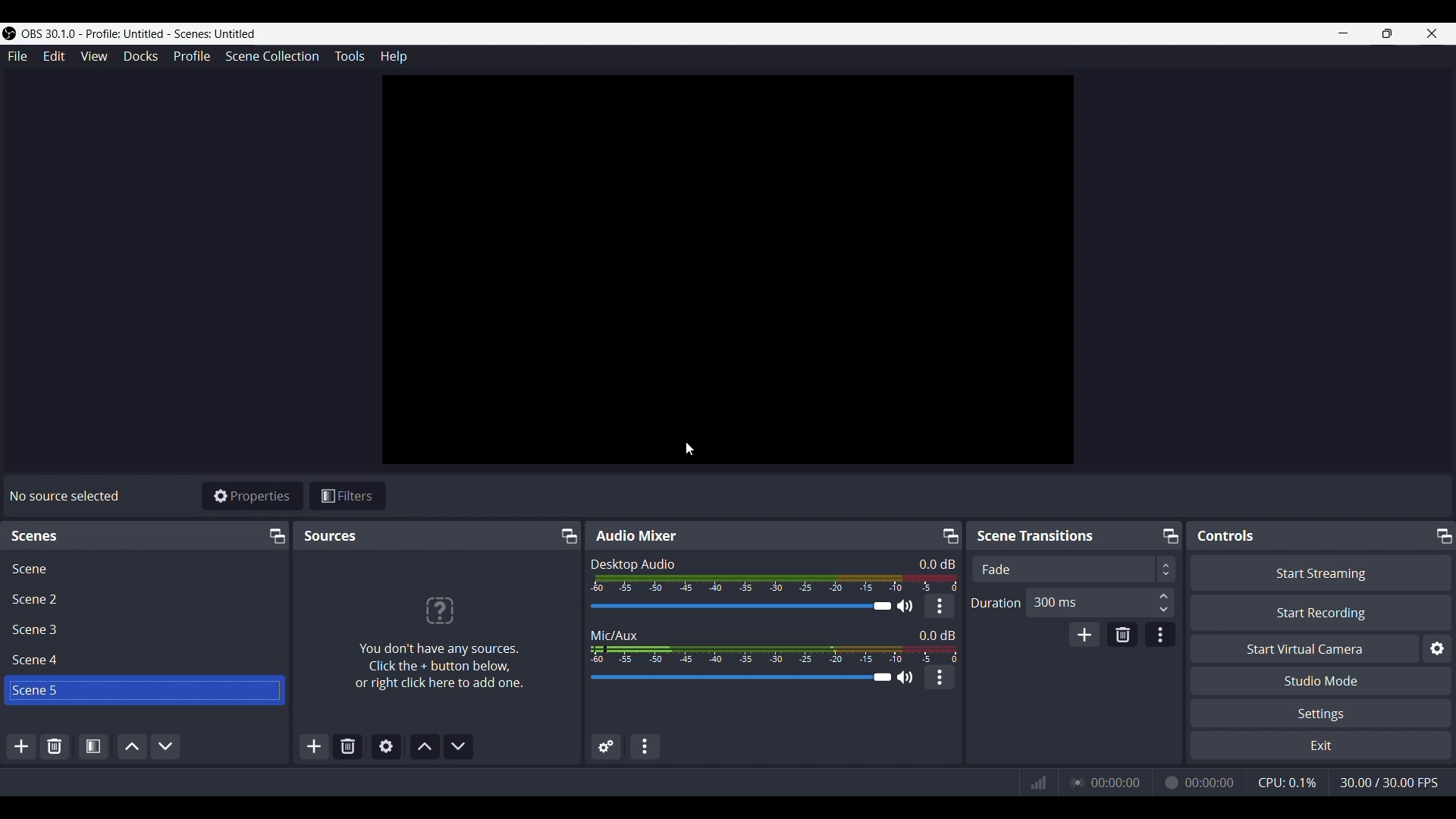 The height and width of the screenshot is (819, 1456). Describe the element at coordinates (253, 496) in the screenshot. I see `Properties` at that location.